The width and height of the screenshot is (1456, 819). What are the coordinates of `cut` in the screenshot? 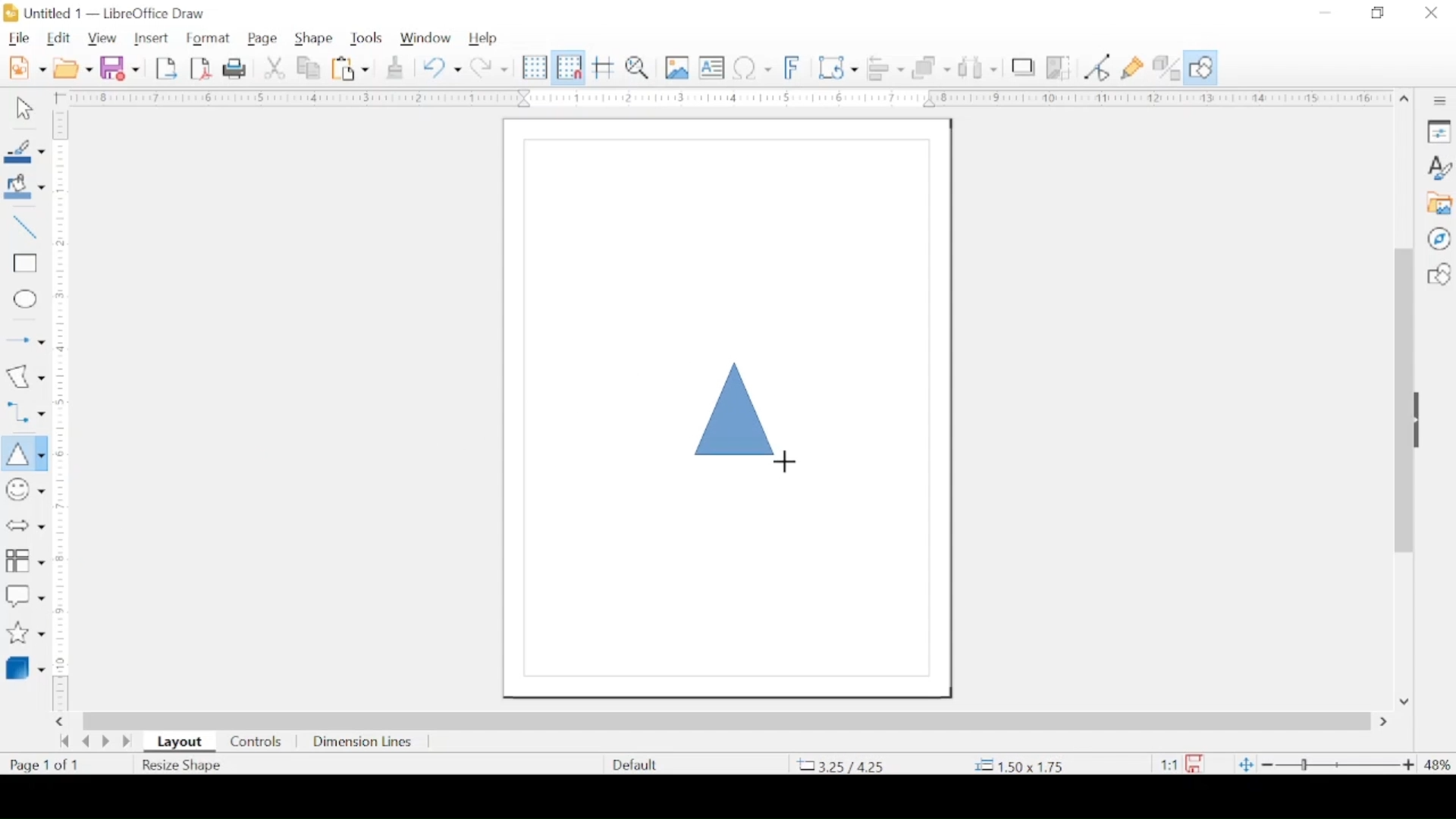 It's located at (275, 68).